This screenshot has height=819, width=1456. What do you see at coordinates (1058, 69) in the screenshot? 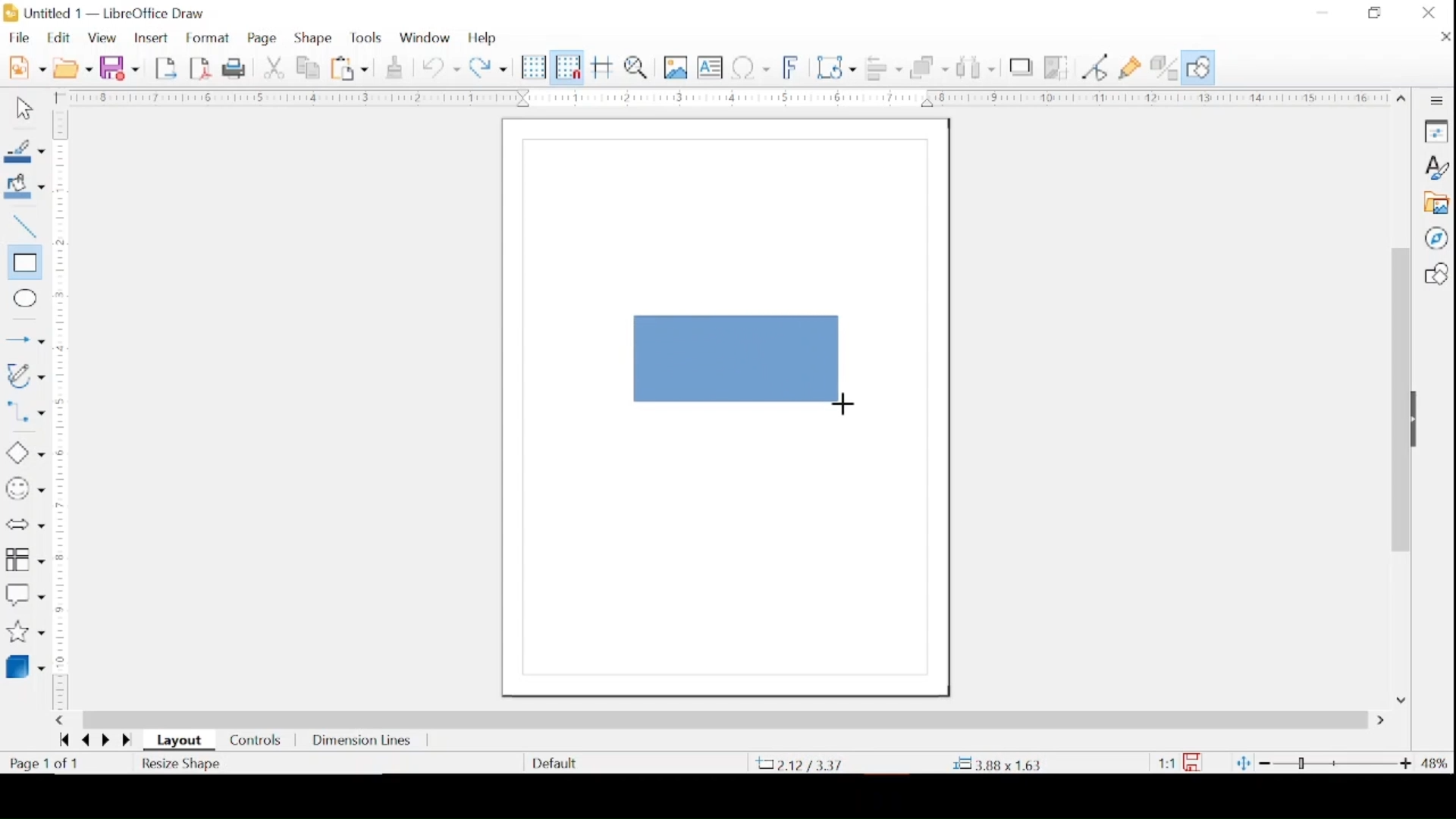
I see `crop image` at bounding box center [1058, 69].